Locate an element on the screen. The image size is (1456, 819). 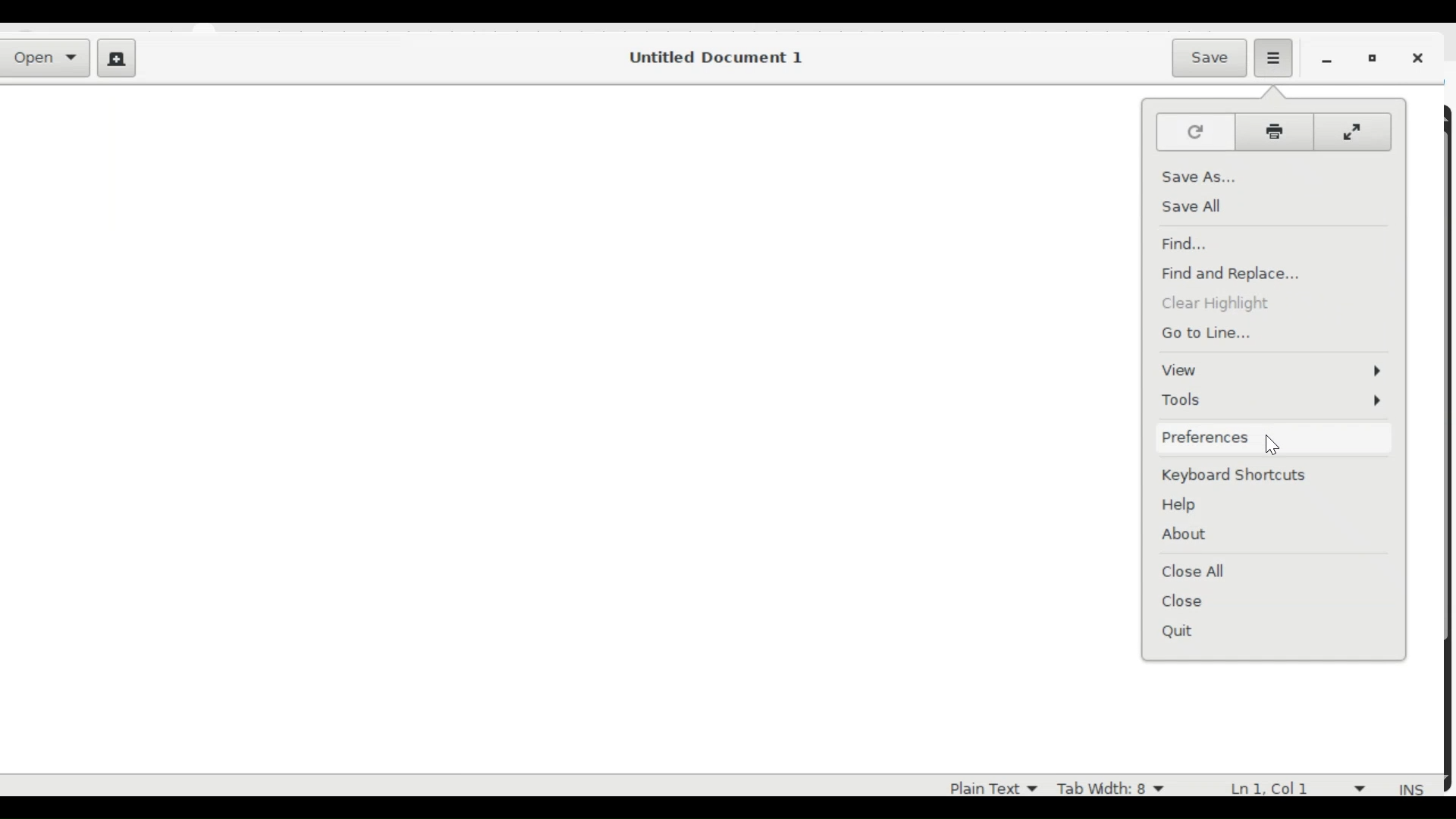
Close All is located at coordinates (1196, 571).